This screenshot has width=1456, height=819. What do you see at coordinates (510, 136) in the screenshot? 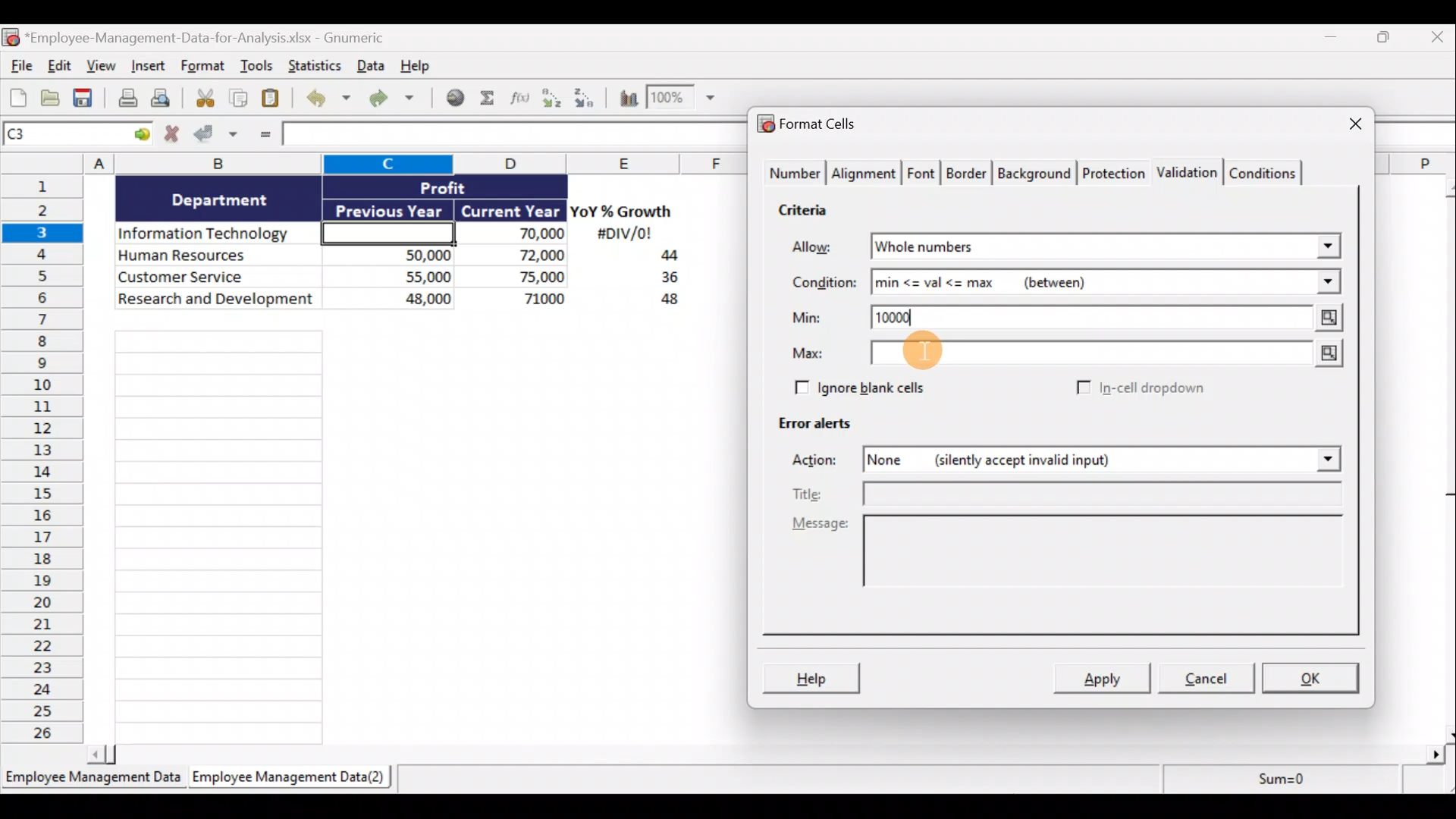
I see `Formula bar` at bounding box center [510, 136].